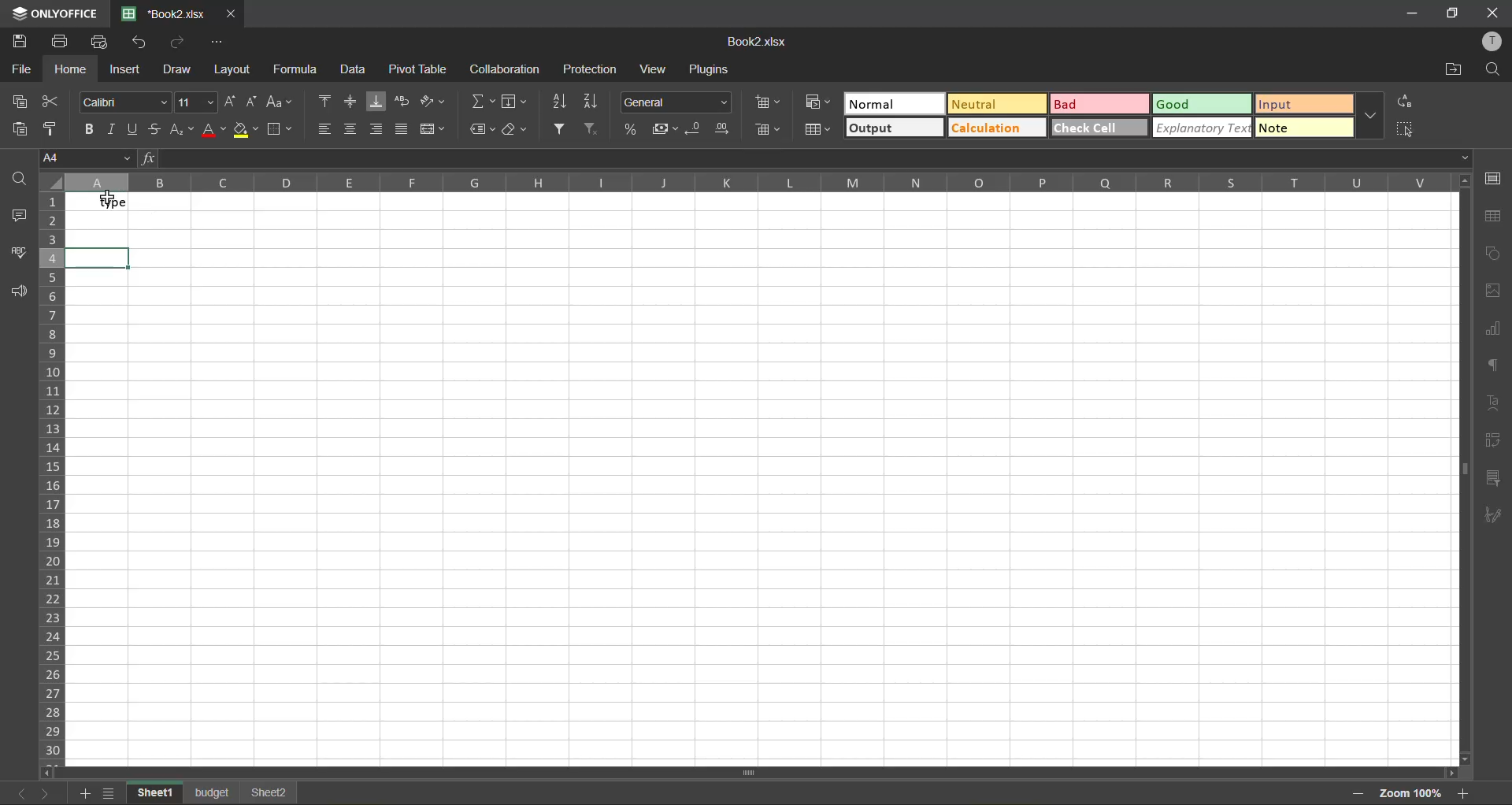 This screenshot has width=1512, height=805. Describe the element at coordinates (135, 132) in the screenshot. I see `underline` at that location.